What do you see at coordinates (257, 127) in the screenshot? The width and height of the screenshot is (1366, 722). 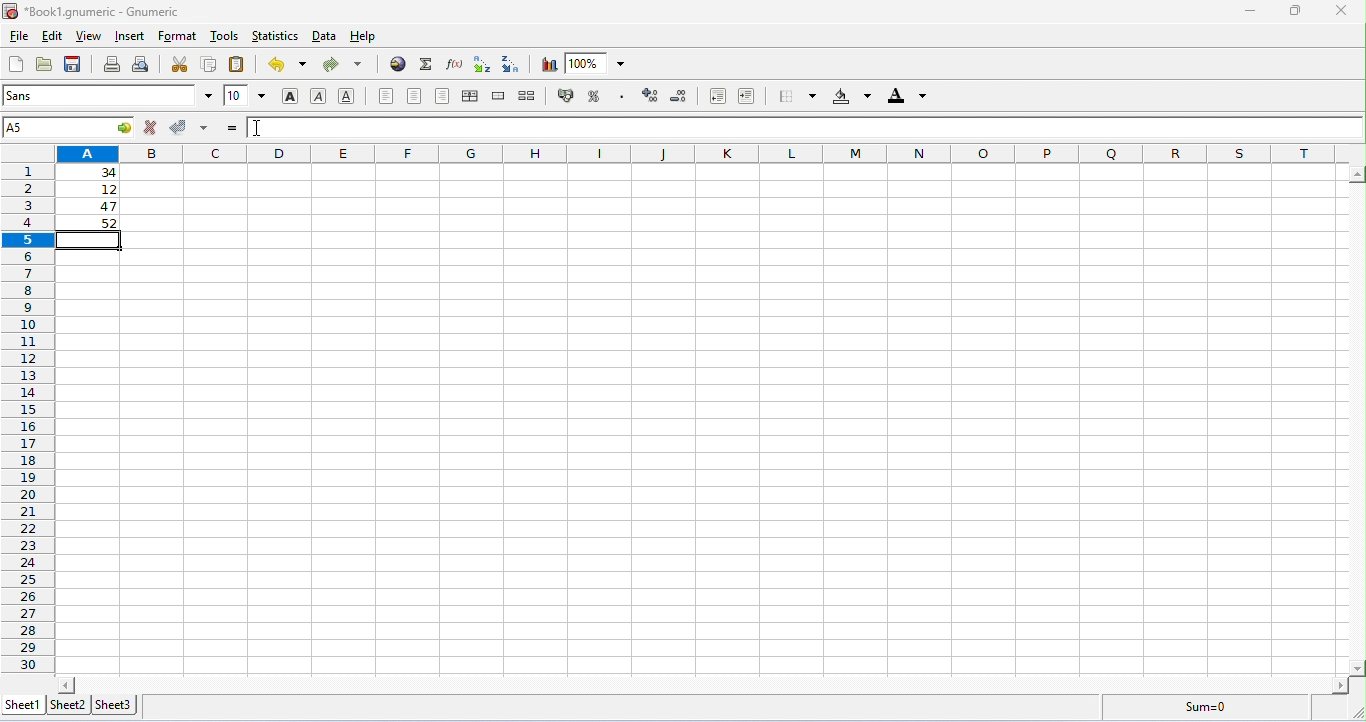 I see `cursor` at bounding box center [257, 127].